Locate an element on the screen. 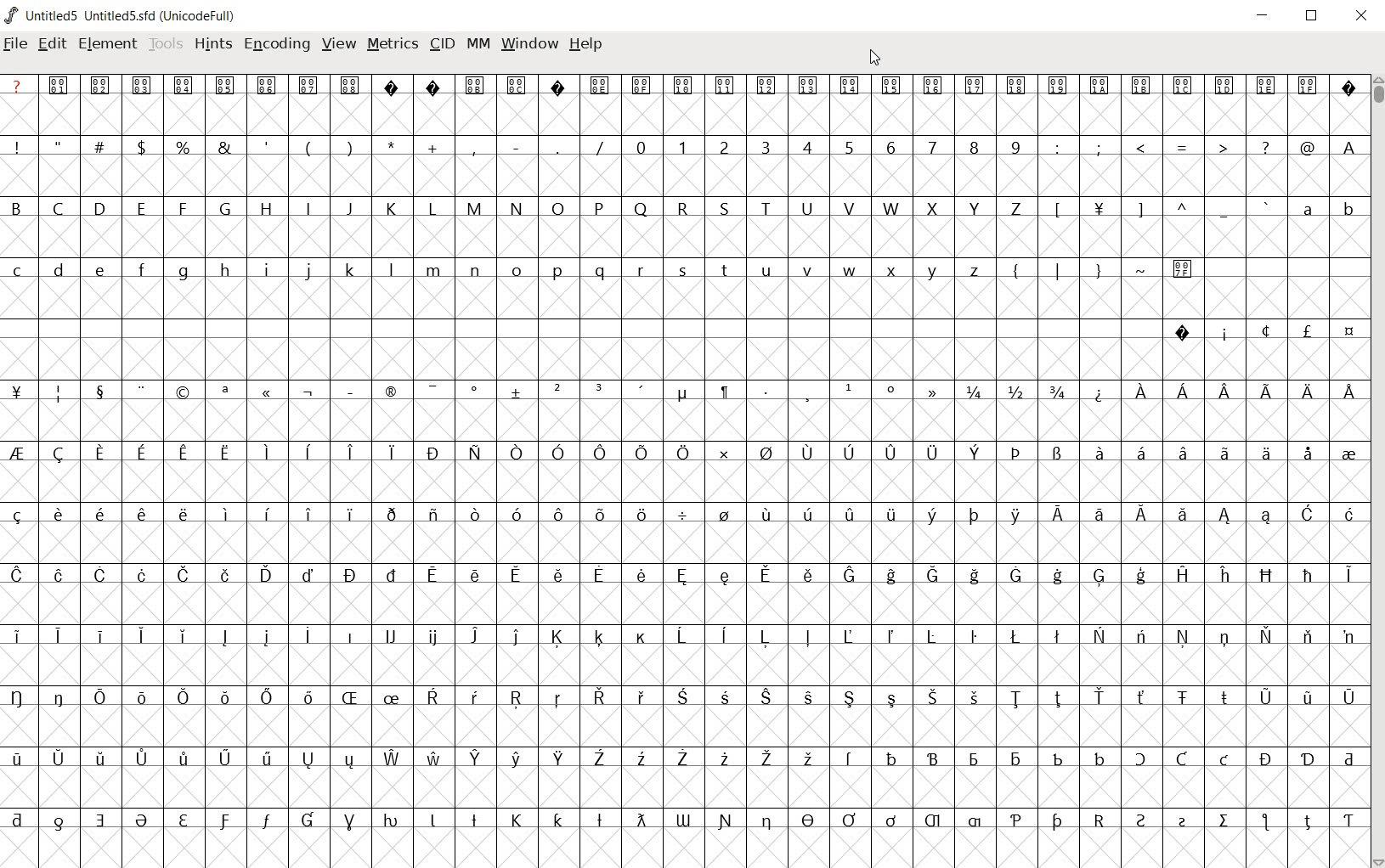  W is located at coordinates (891, 206).